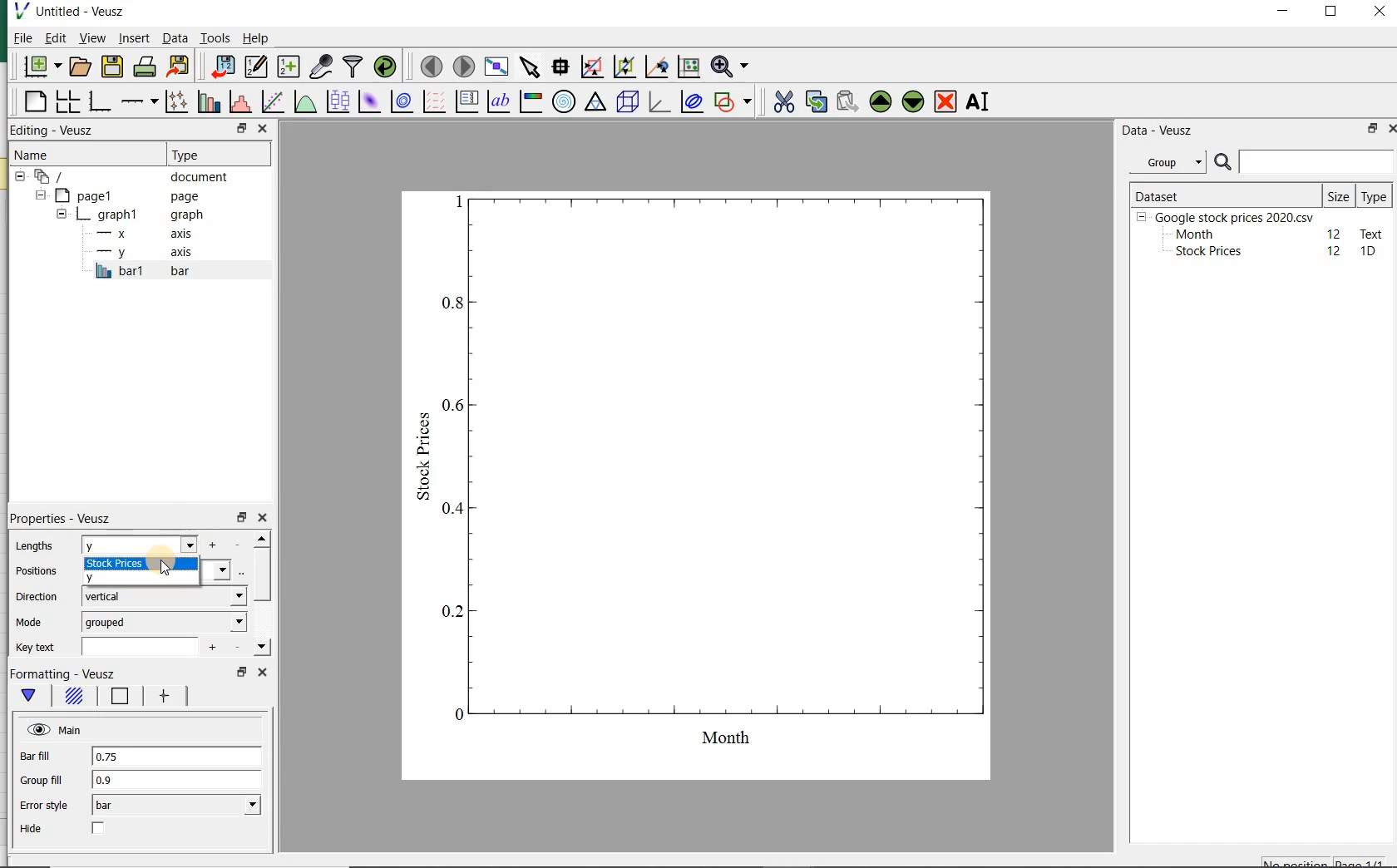 The image size is (1397, 868). Describe the element at coordinates (1335, 251) in the screenshot. I see `12` at that location.